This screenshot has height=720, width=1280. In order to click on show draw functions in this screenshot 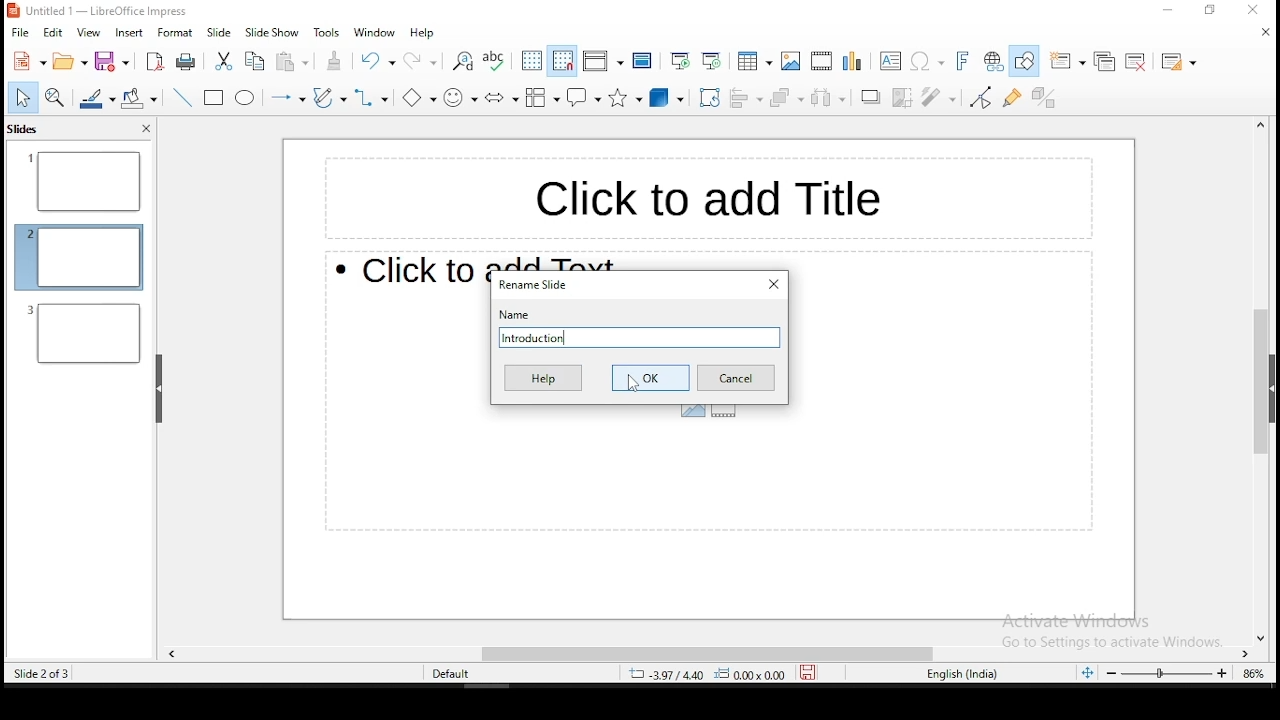, I will do `click(1024, 60)`.